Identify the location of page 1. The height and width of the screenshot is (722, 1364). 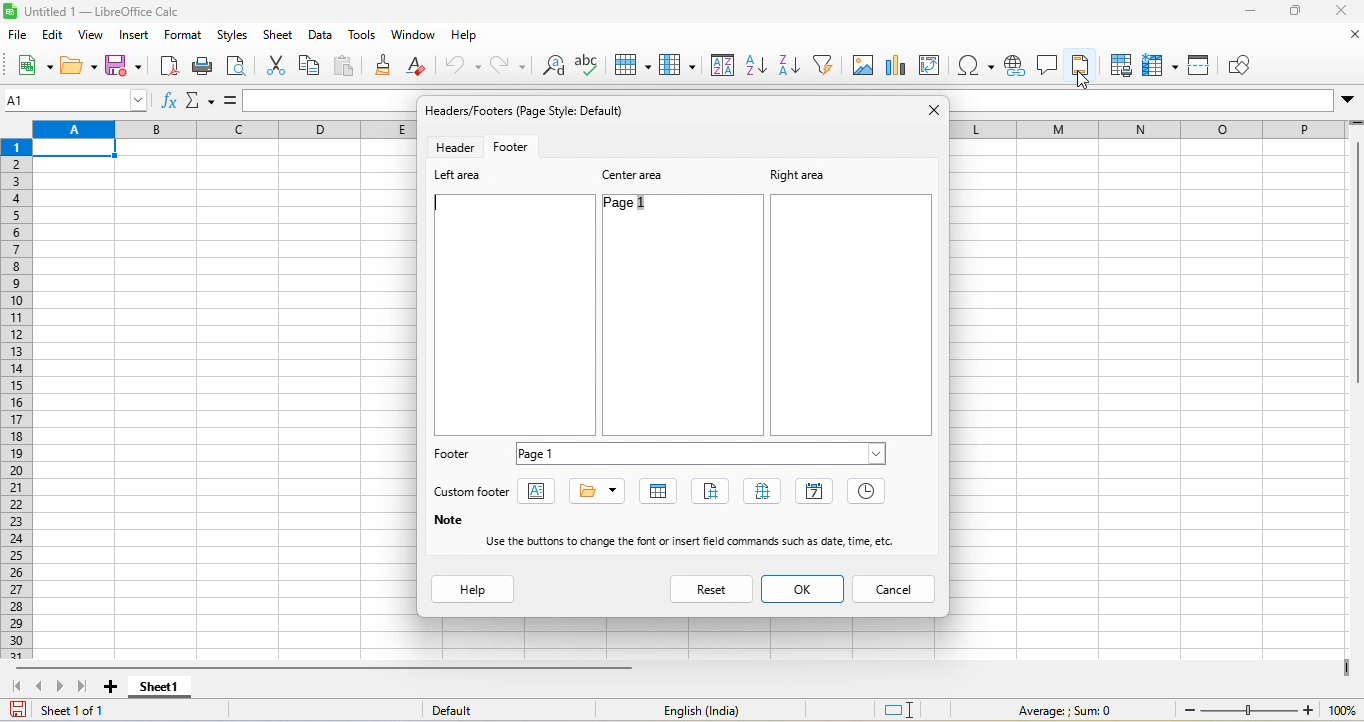
(643, 208).